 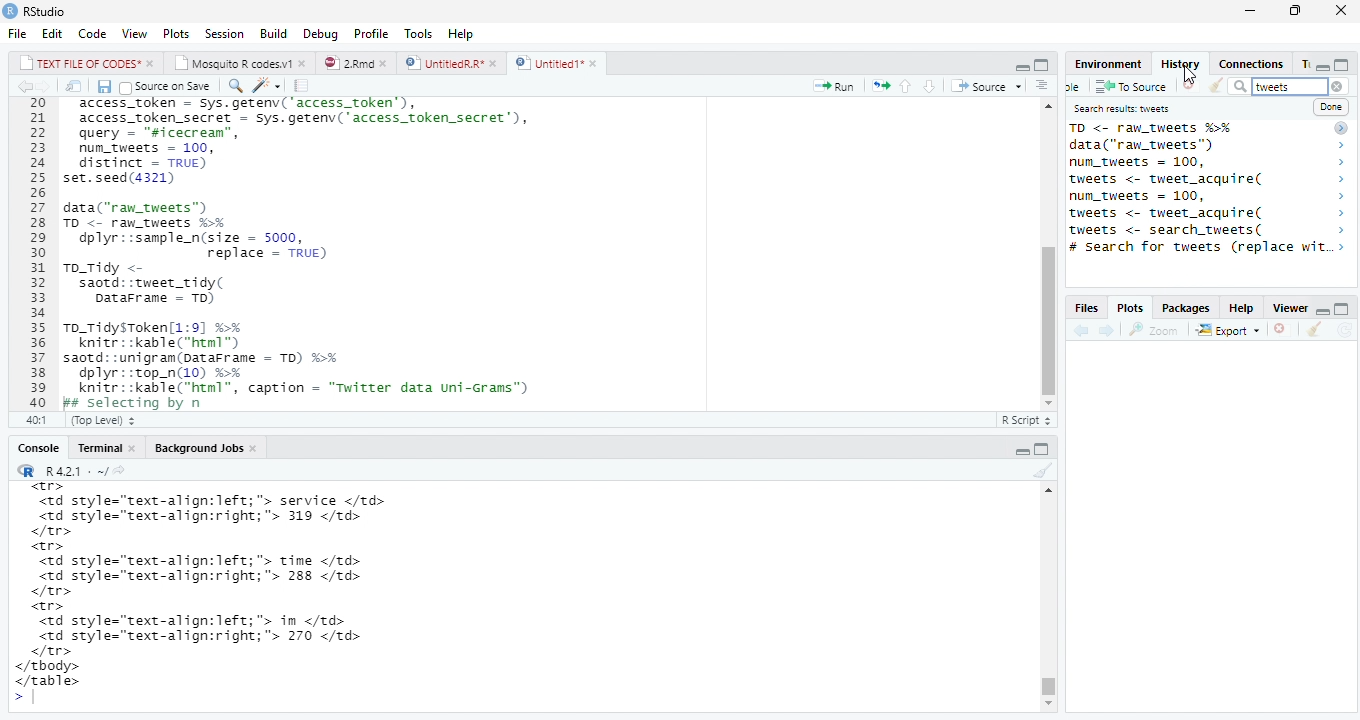 I want to click on Tools, so click(x=416, y=32).